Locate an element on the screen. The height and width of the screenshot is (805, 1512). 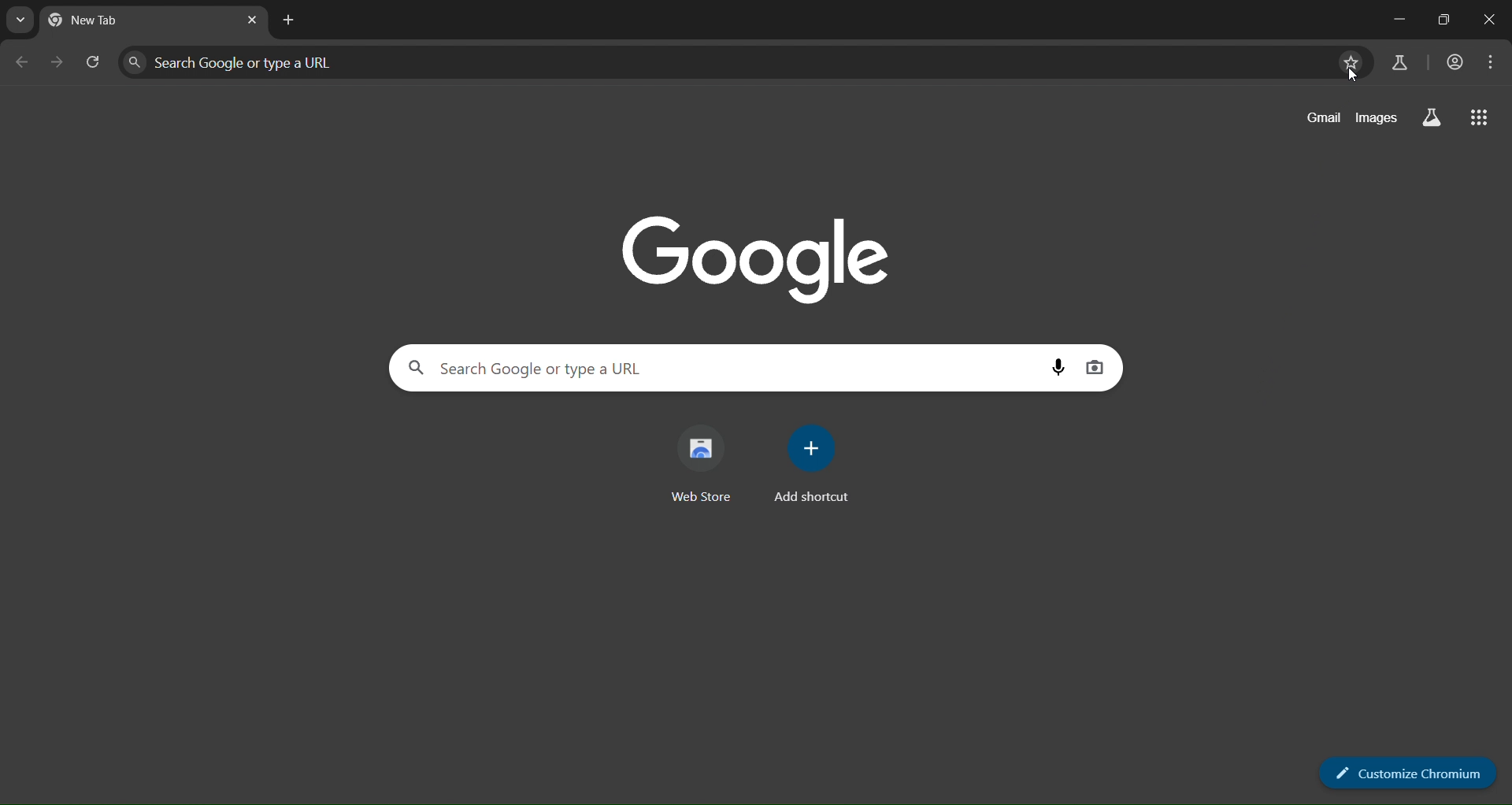
search labs is located at coordinates (1434, 118).